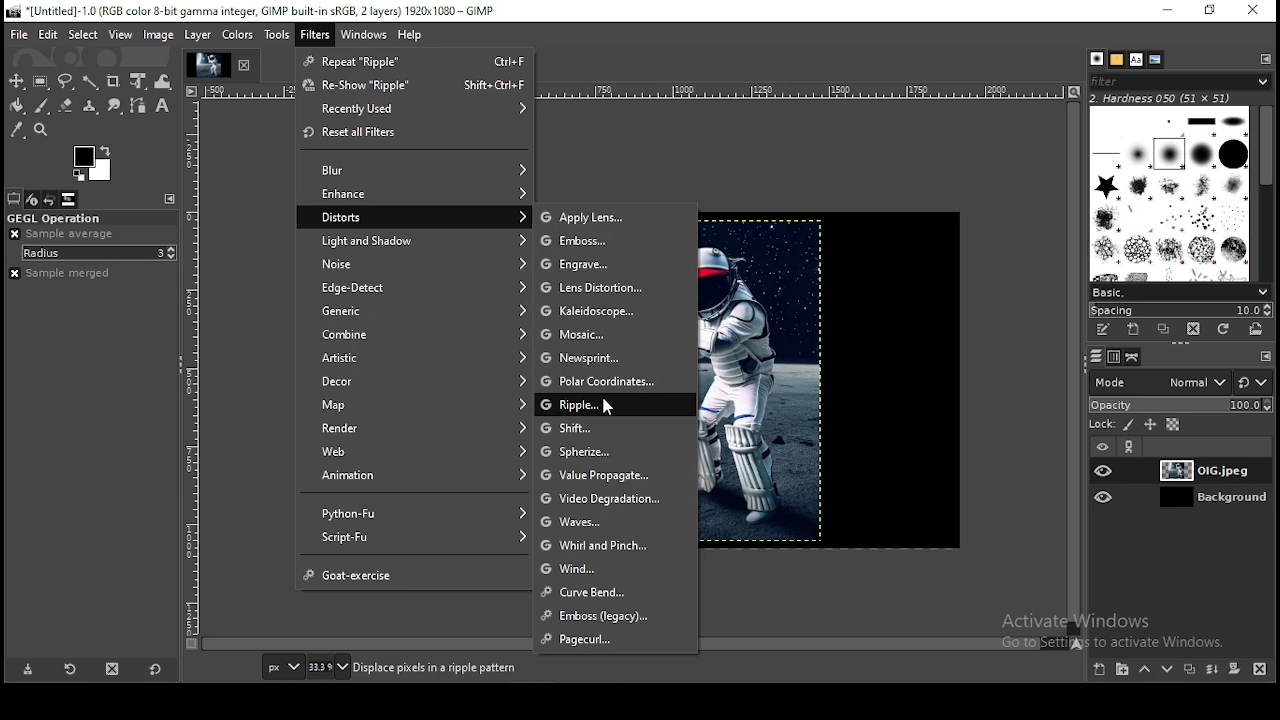 This screenshot has height=720, width=1280. I want to click on file, so click(21, 35).